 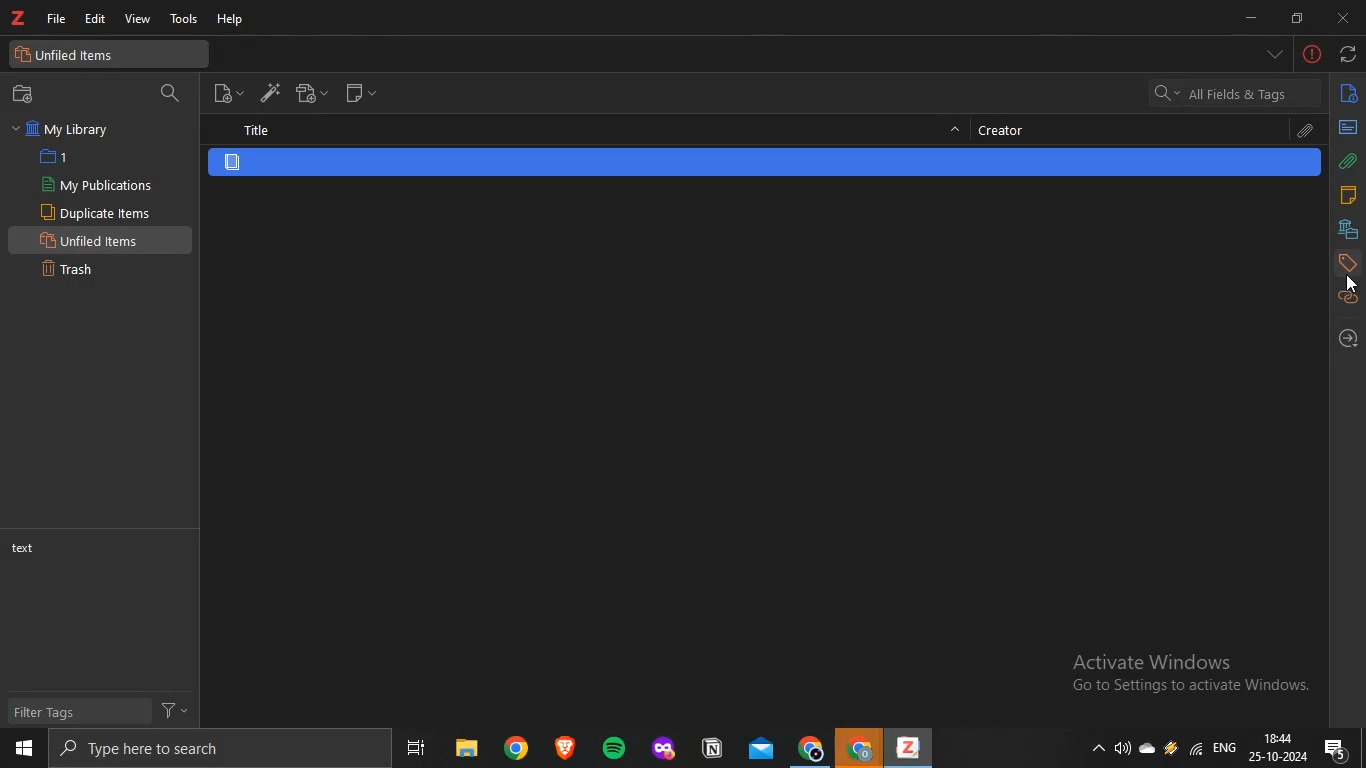 I want to click on file, so click(x=55, y=18).